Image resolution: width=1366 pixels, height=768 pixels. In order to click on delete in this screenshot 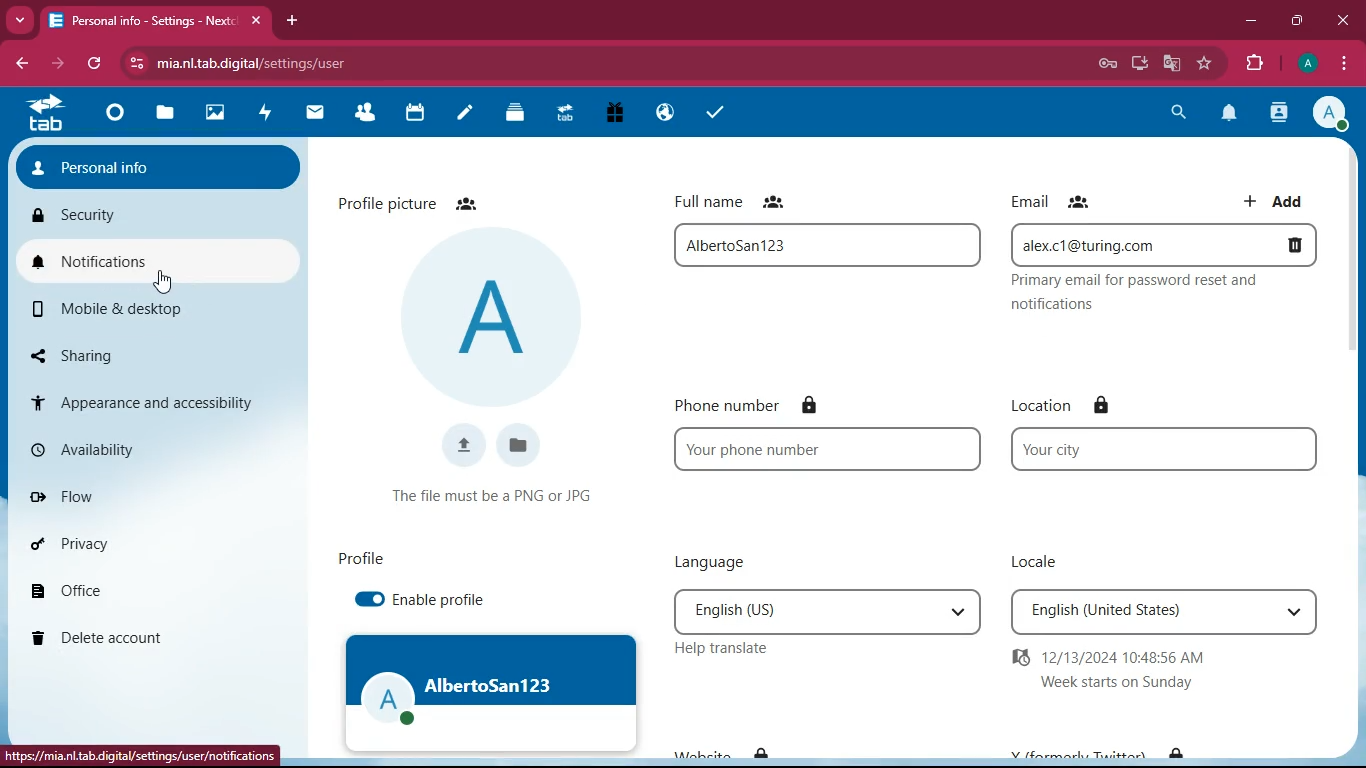, I will do `click(1295, 246)`.